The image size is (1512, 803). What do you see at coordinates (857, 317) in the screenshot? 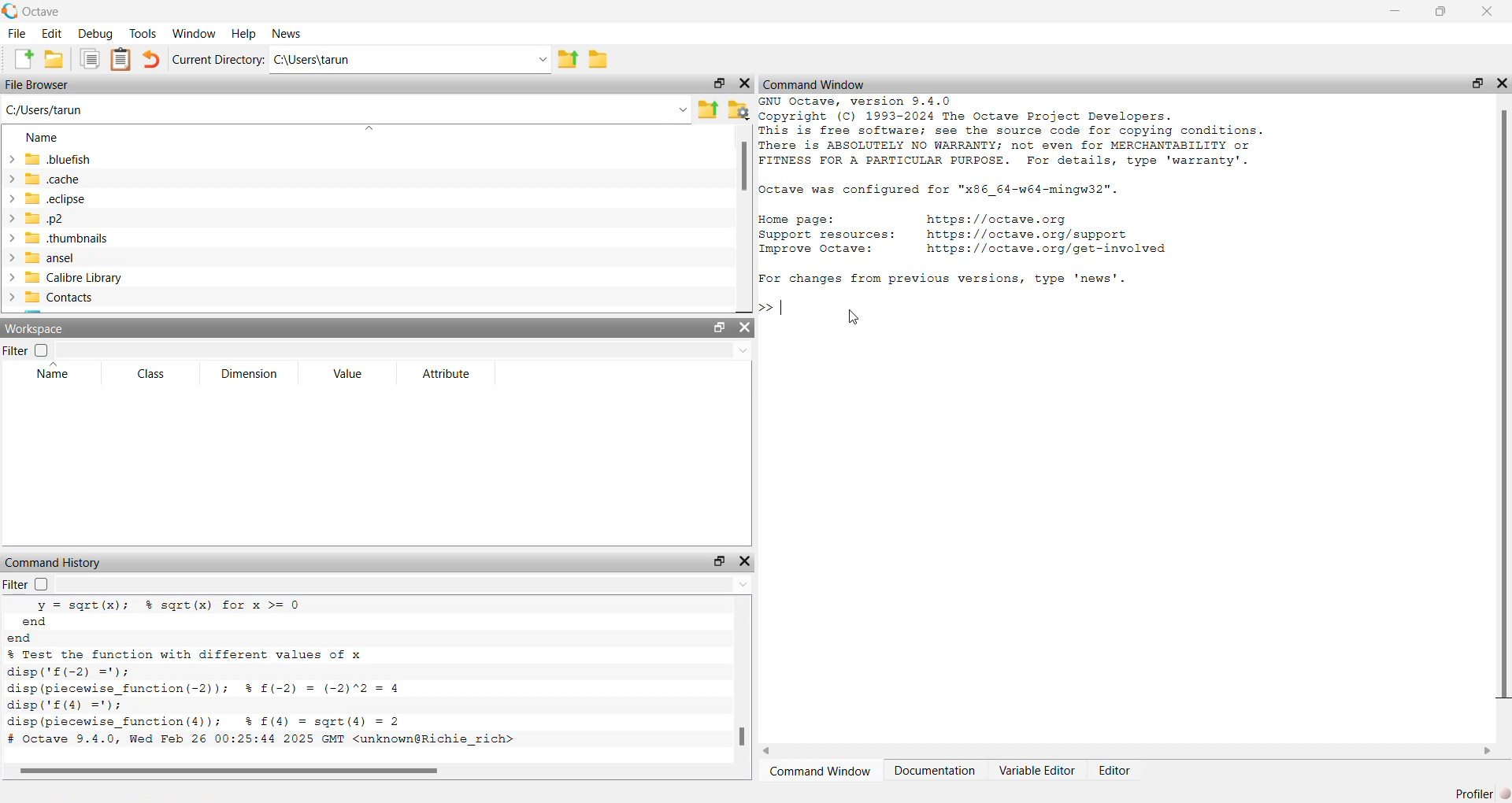
I see `Cursor` at bounding box center [857, 317].